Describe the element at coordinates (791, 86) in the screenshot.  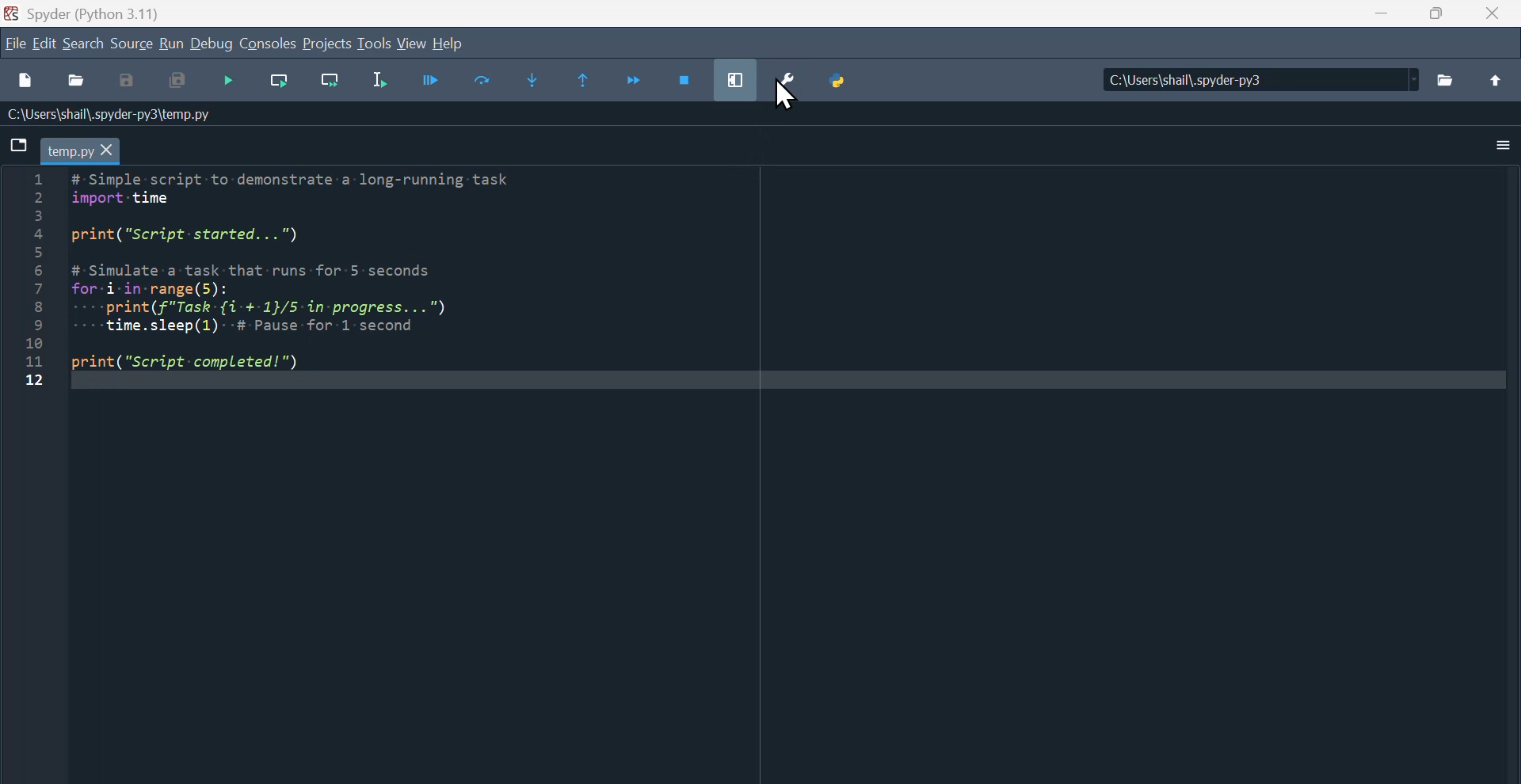
I see `Preferences` at that location.